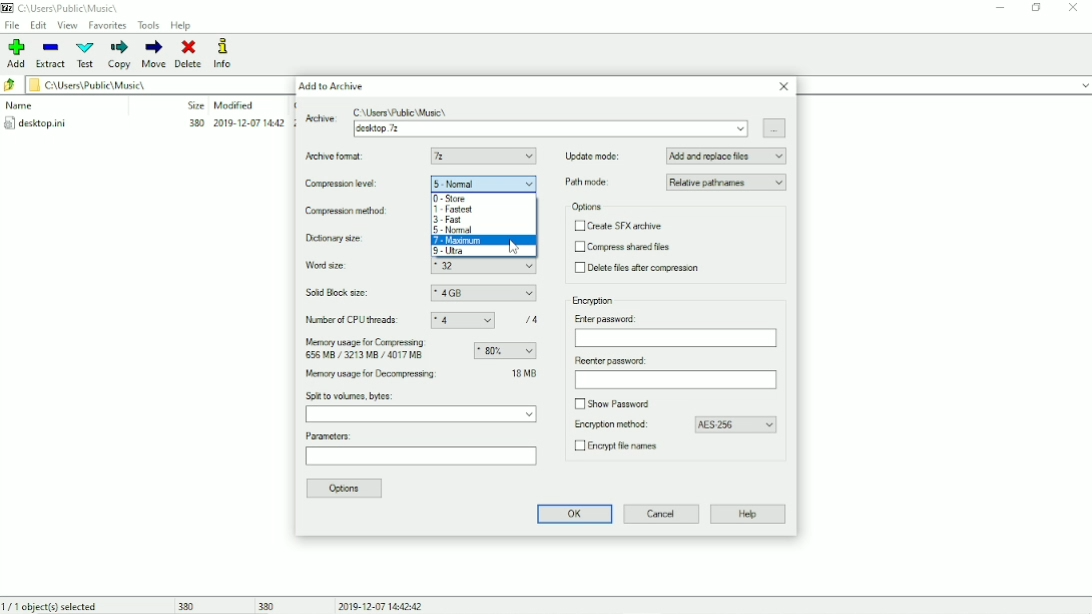  Describe the element at coordinates (39, 25) in the screenshot. I see `Edit` at that location.